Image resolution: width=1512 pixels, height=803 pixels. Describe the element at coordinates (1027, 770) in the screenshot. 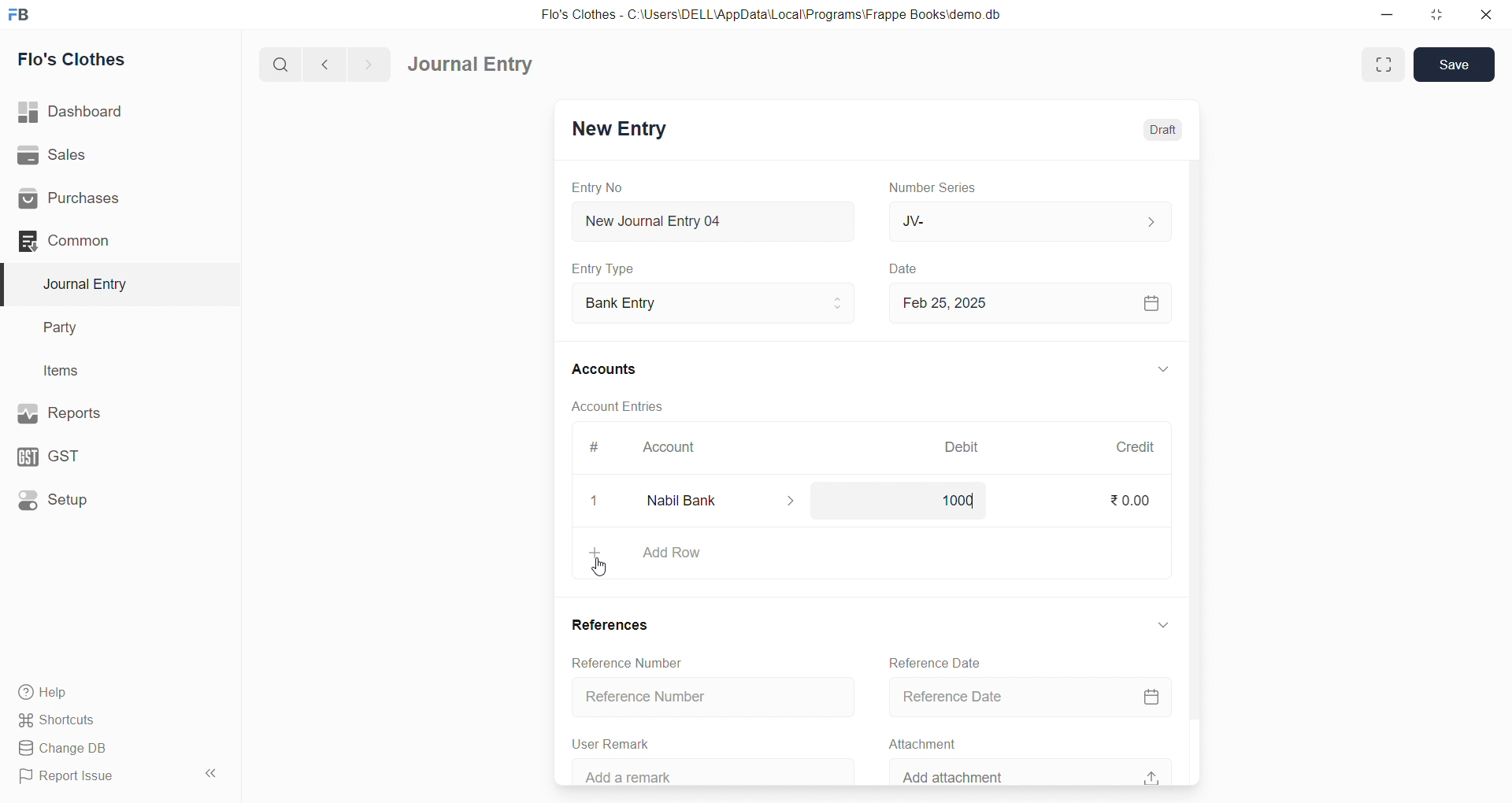

I see `Add attachment` at that location.